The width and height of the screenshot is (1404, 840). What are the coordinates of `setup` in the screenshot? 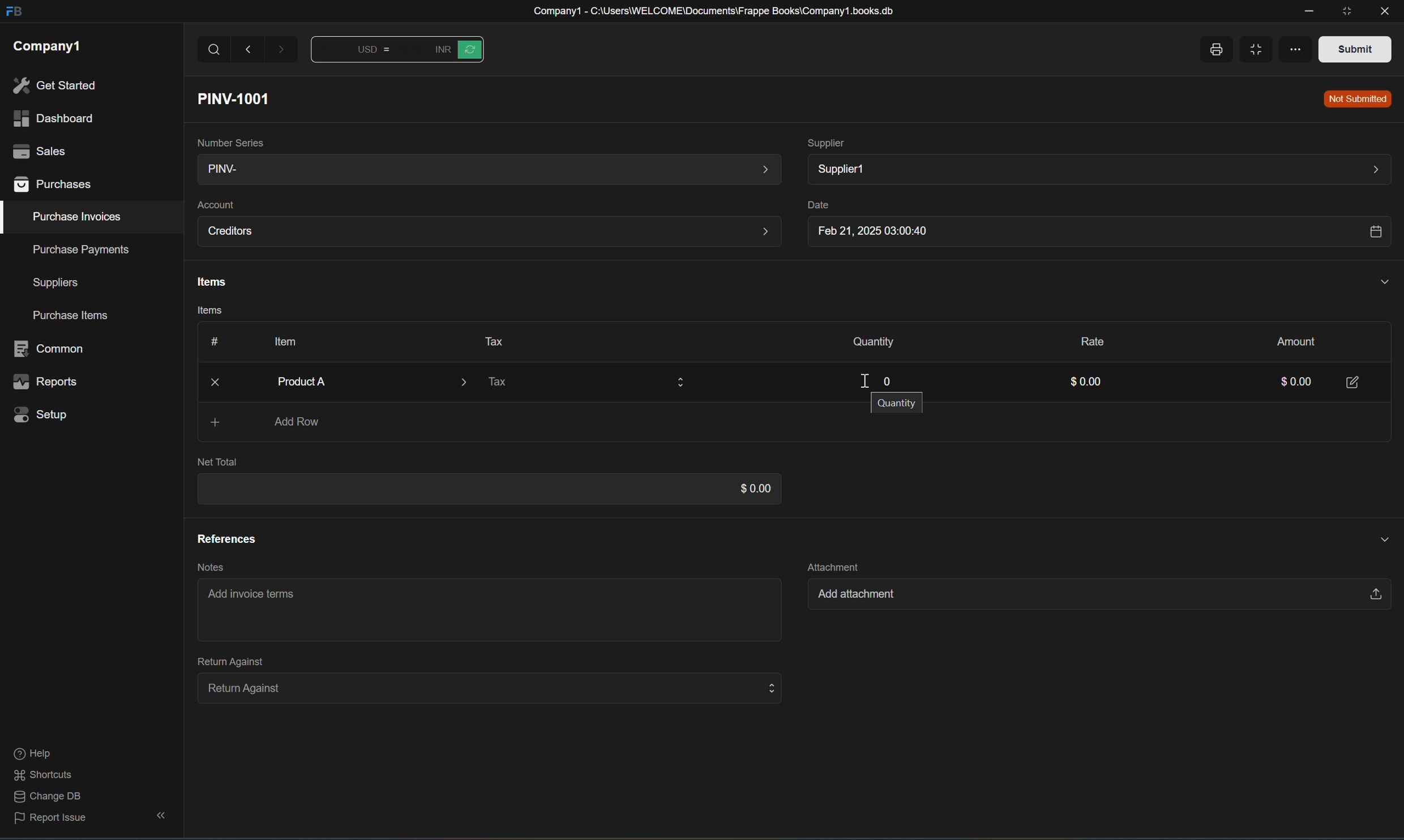 It's located at (44, 414).